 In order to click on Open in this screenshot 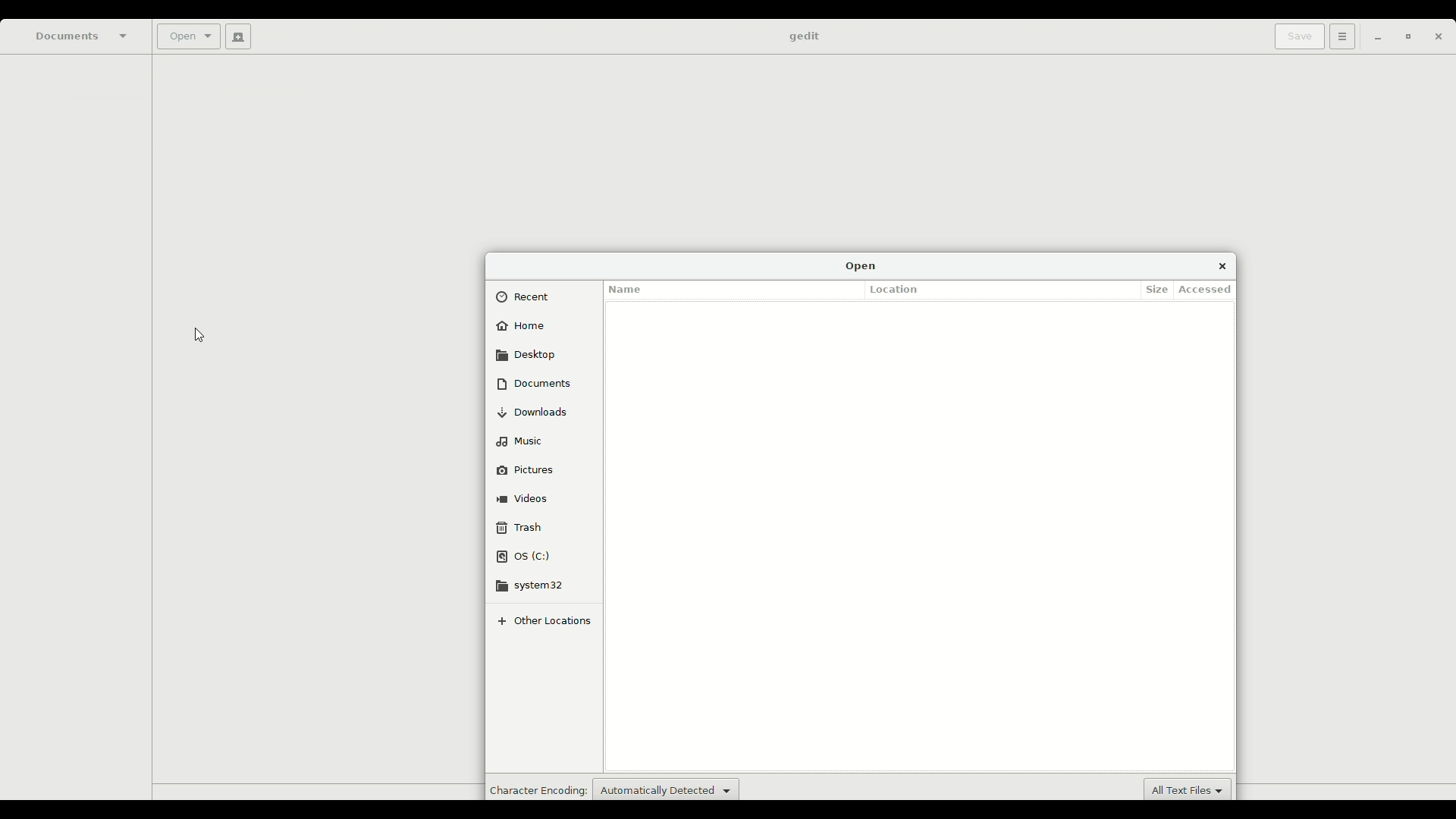, I will do `click(187, 38)`.